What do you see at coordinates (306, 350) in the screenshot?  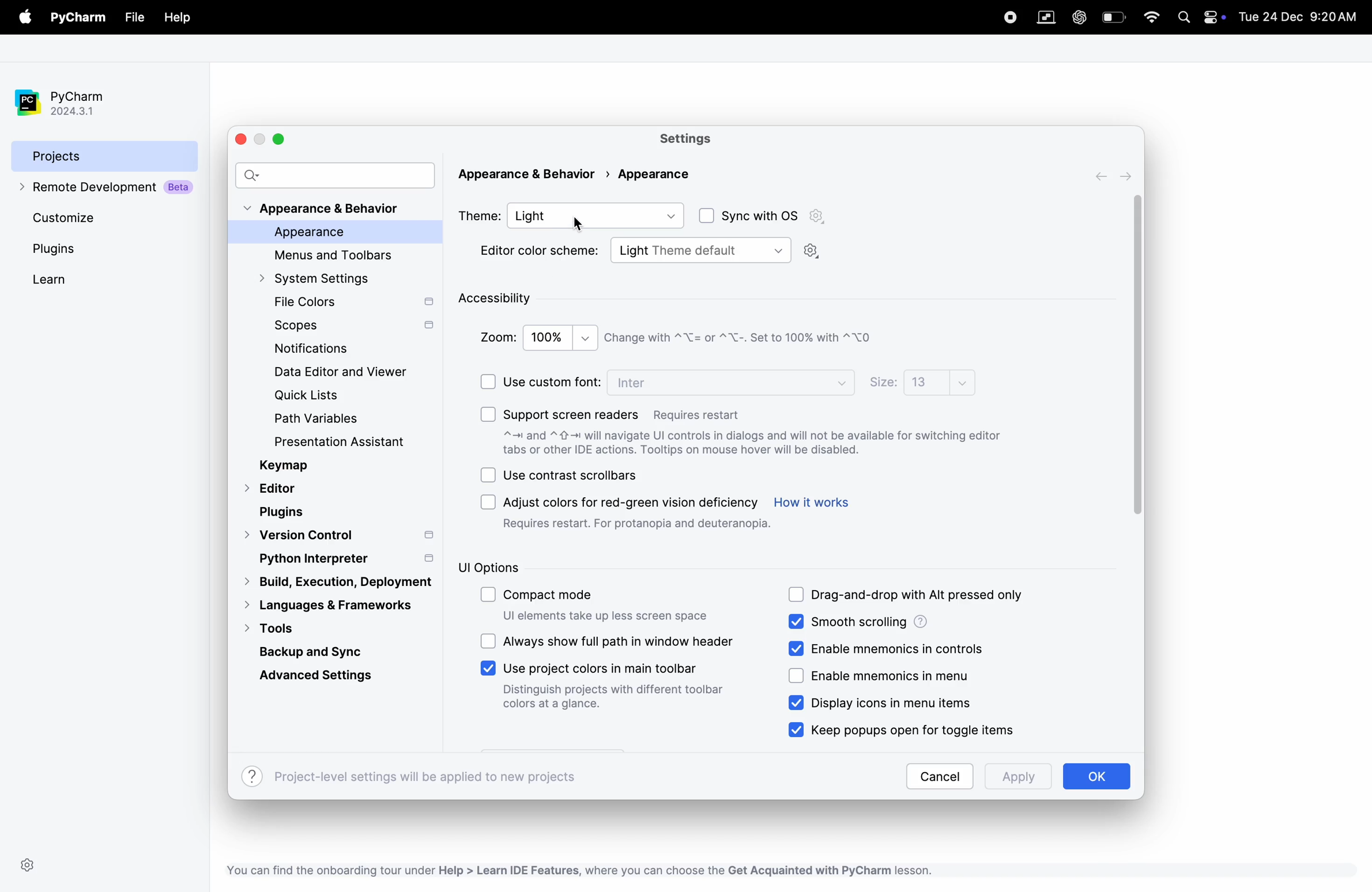 I see `notifications` at bounding box center [306, 350].